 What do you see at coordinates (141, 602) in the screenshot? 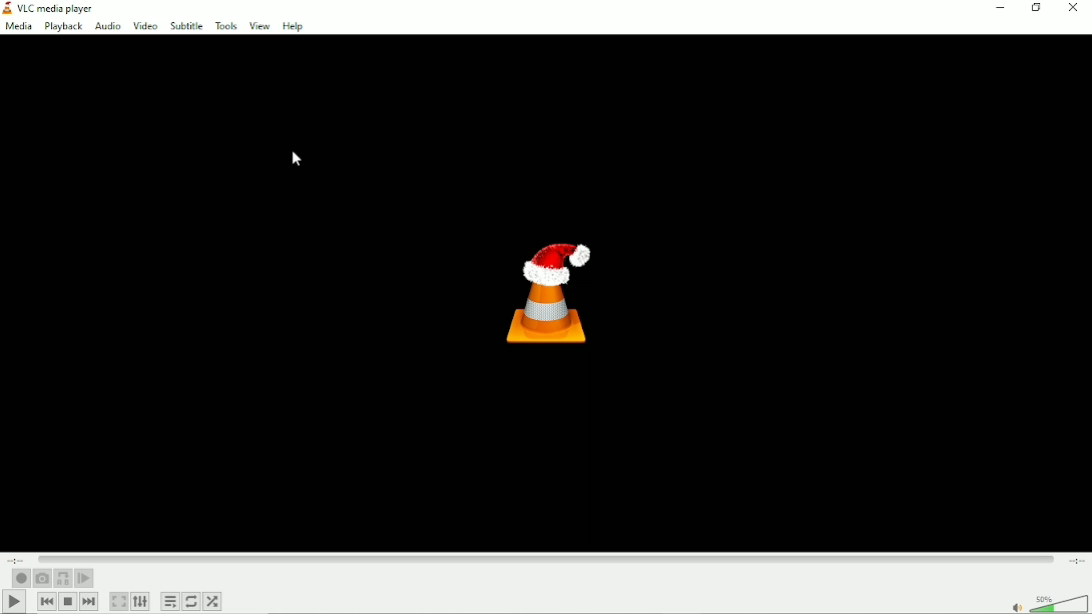
I see `Show extended settings` at bounding box center [141, 602].